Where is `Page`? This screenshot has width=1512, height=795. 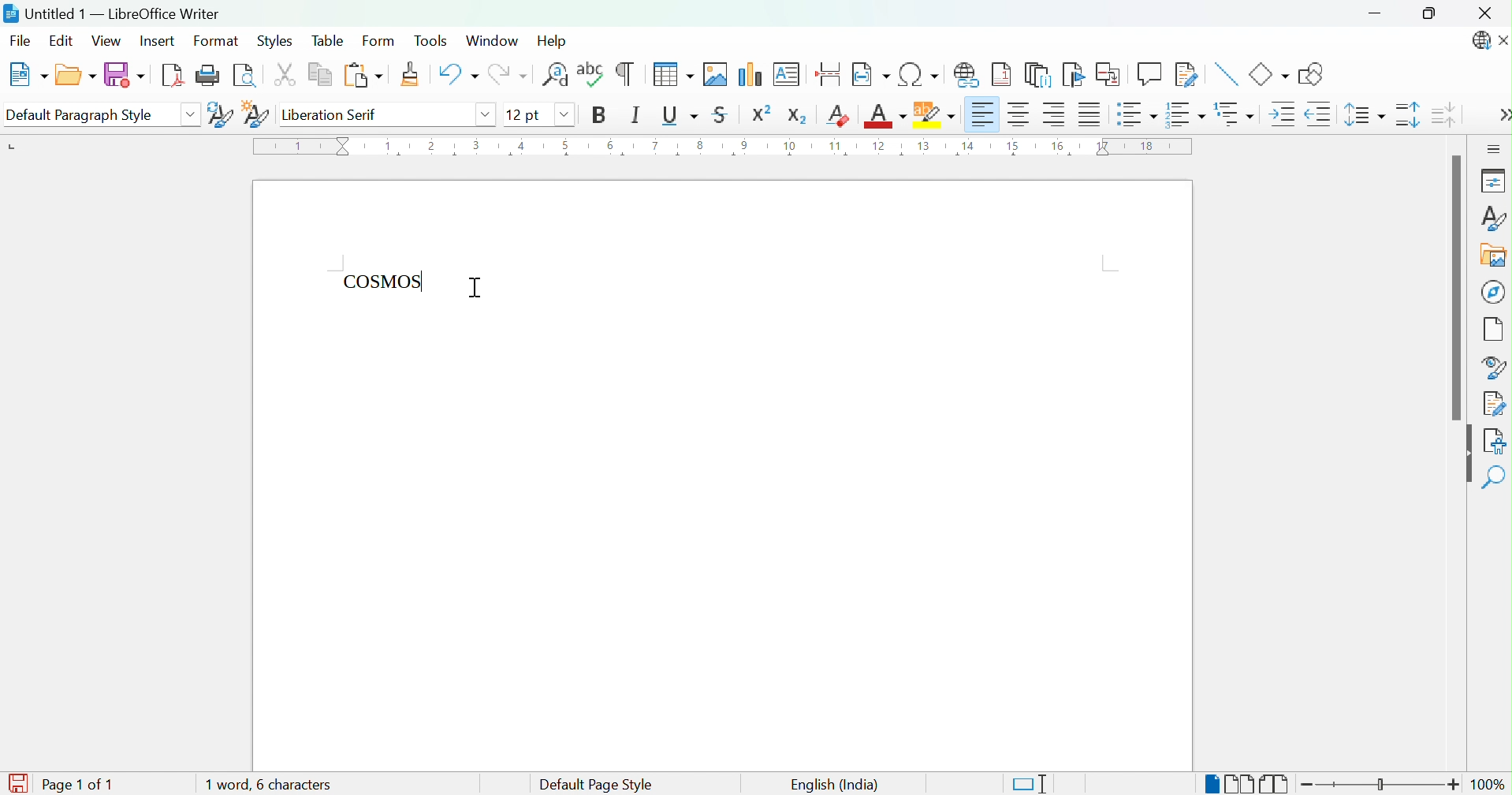
Page is located at coordinates (1495, 328).